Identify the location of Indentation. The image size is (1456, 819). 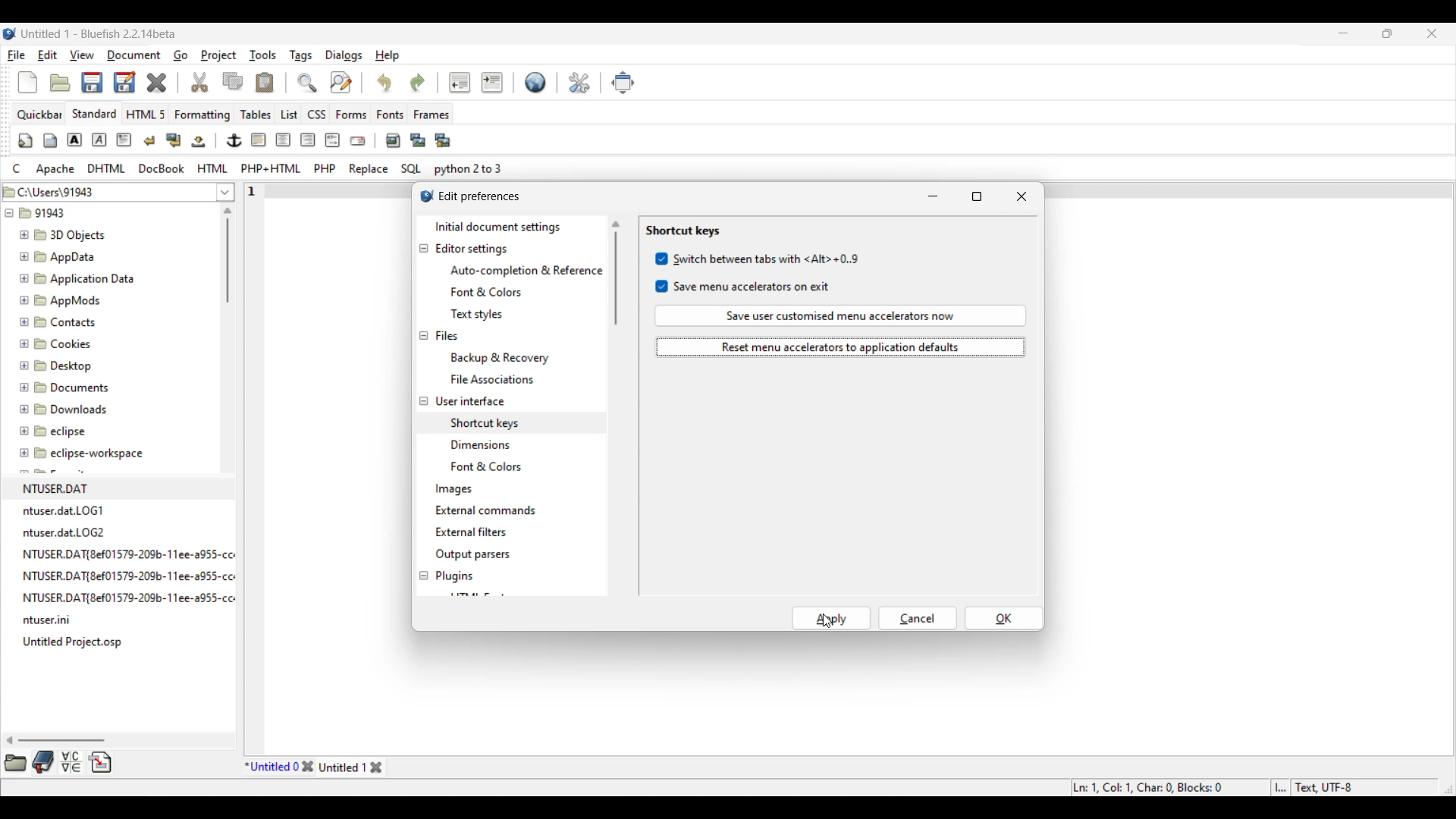
(475, 82).